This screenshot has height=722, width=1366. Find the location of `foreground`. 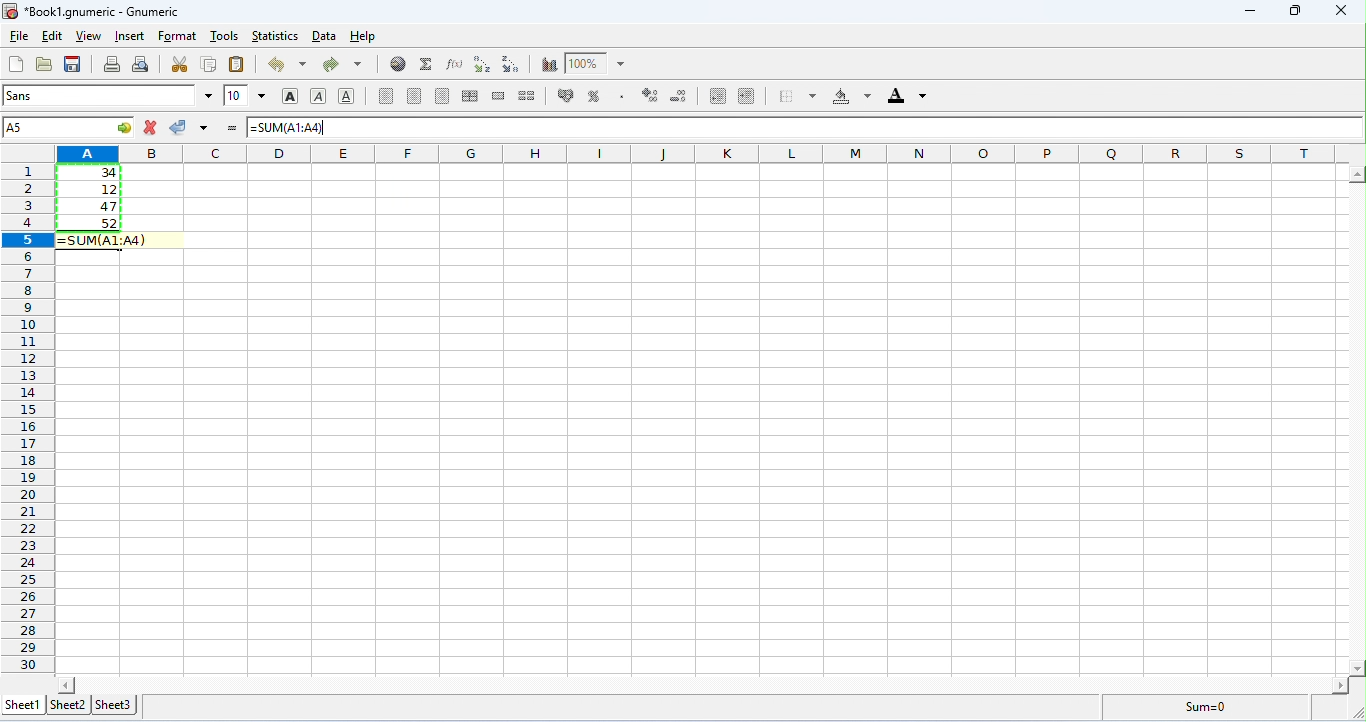

foreground is located at coordinates (907, 95).